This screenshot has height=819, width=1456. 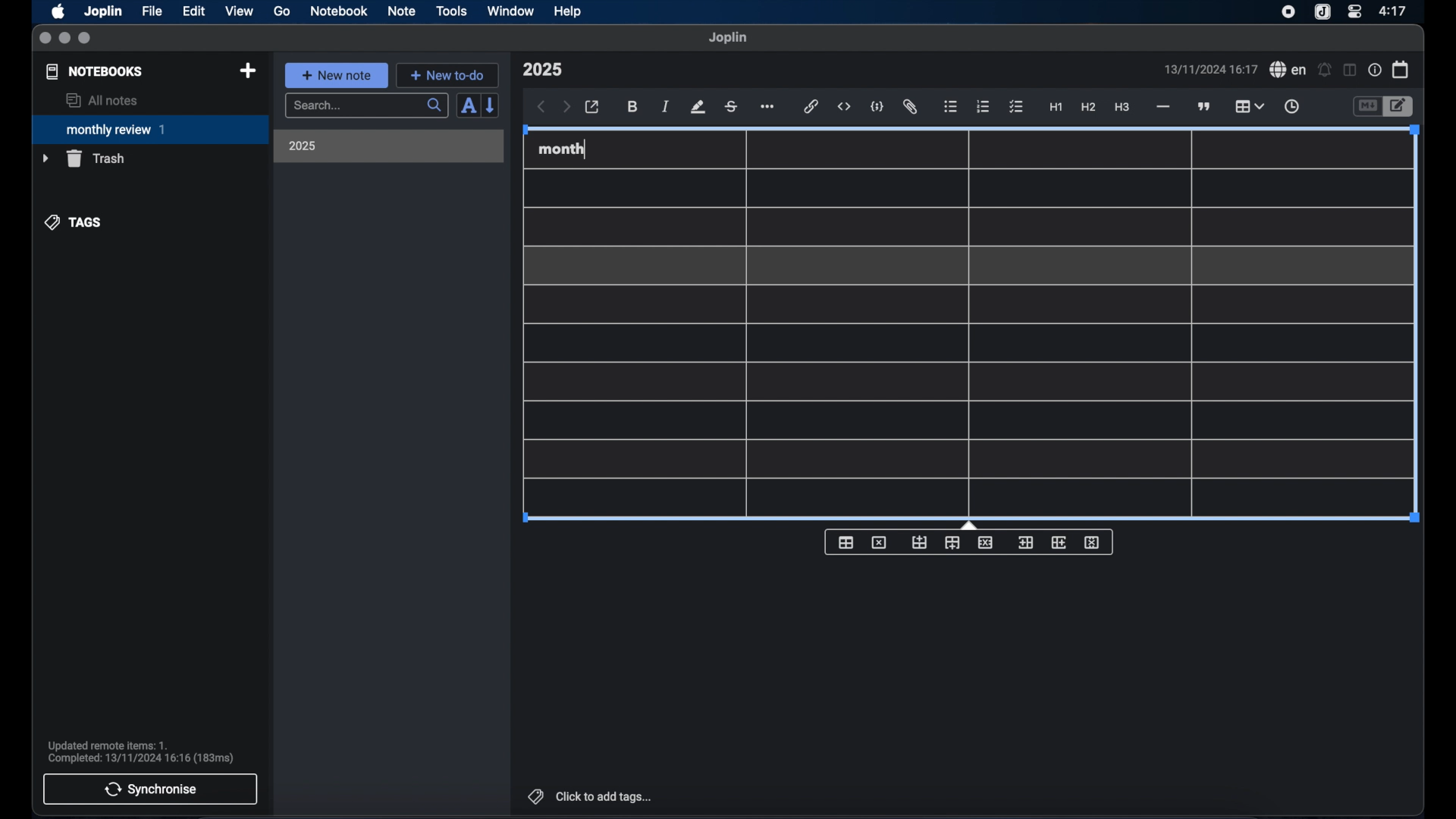 I want to click on 2025, so click(x=303, y=146).